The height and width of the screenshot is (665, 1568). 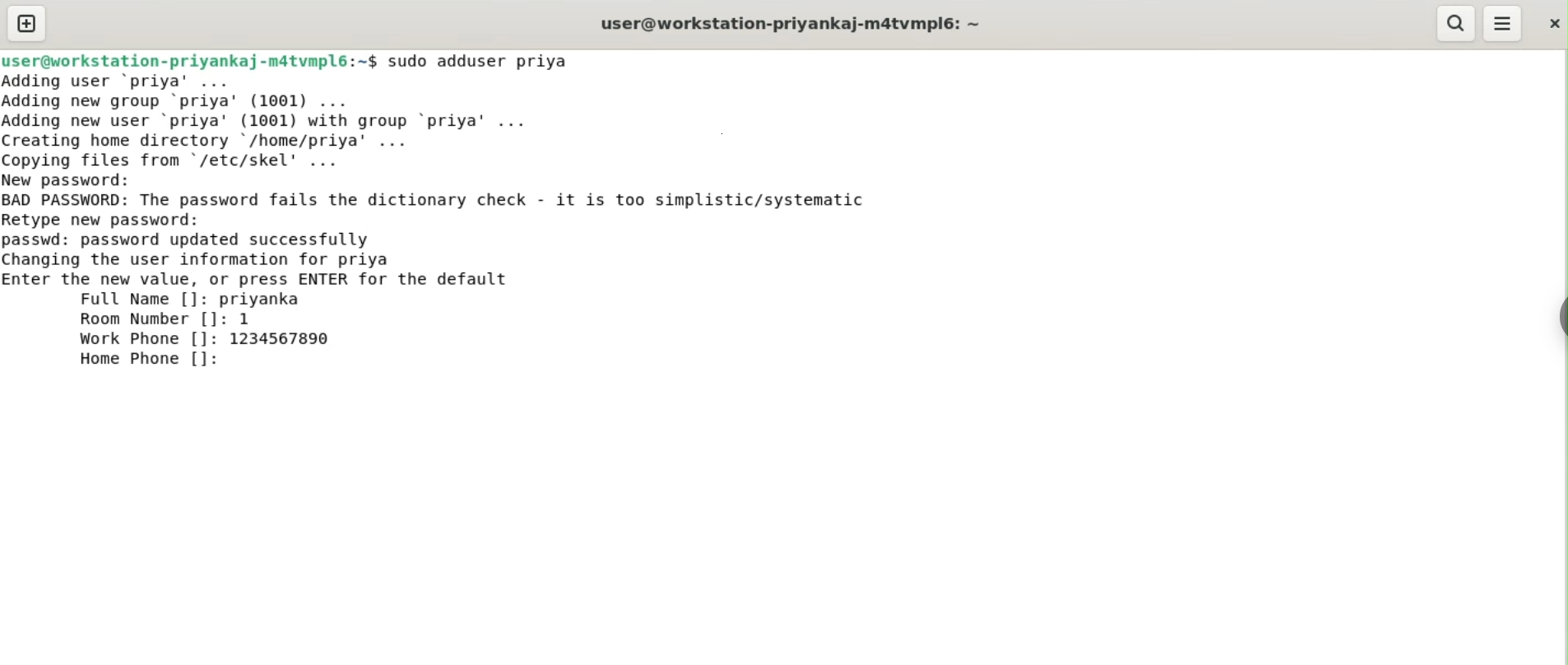 What do you see at coordinates (258, 270) in the screenshot?
I see `passwd: password updated successfullyChanging the user information for priyaEnter the new value, or press ENTER for the defaultFull Name []: priyankal ` at bounding box center [258, 270].